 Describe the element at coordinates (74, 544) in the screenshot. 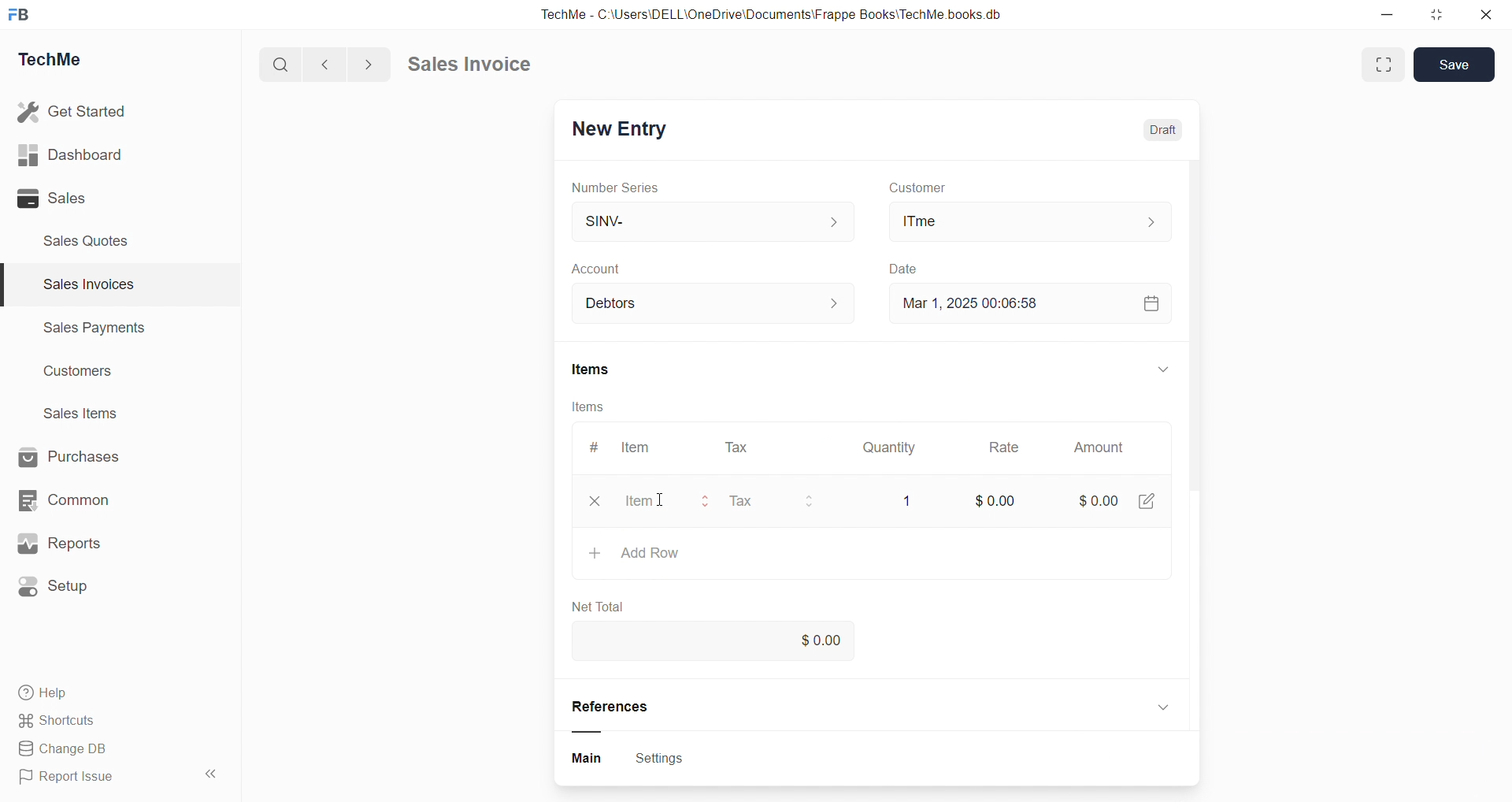

I see `ws Reports` at that location.